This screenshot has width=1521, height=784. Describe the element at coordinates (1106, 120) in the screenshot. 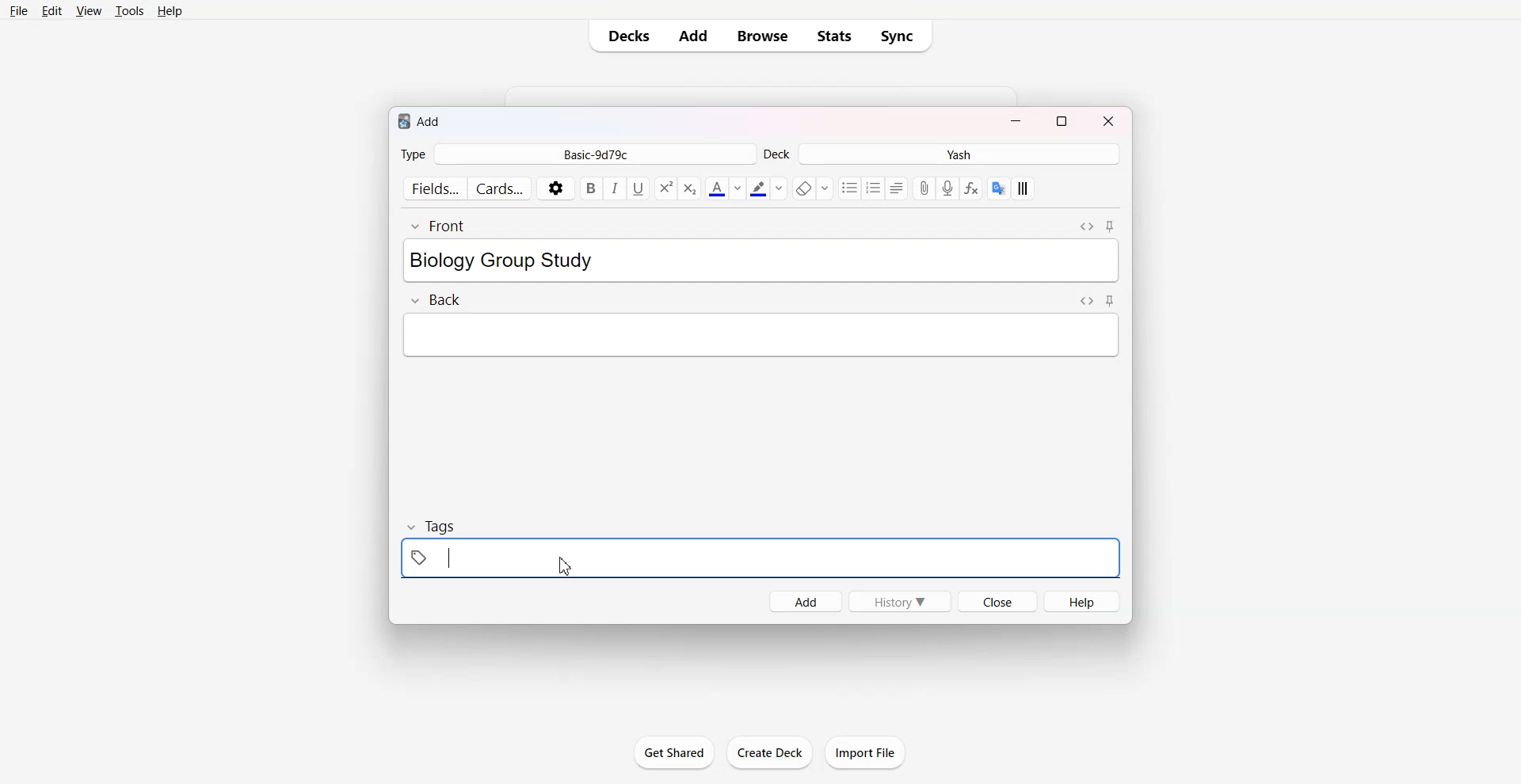

I see `Close` at that location.